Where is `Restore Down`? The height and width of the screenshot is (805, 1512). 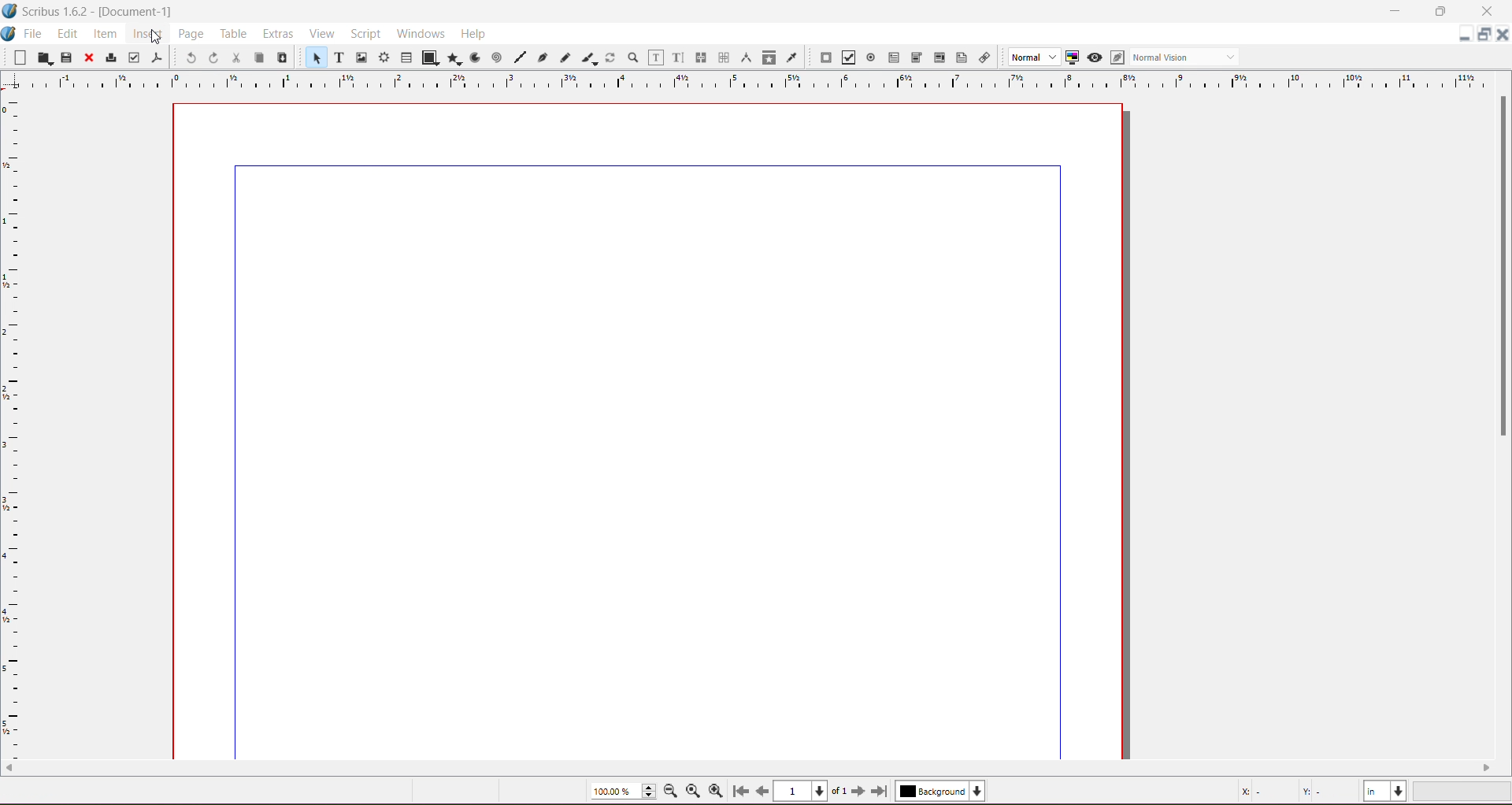
Restore Down is located at coordinates (1439, 11).